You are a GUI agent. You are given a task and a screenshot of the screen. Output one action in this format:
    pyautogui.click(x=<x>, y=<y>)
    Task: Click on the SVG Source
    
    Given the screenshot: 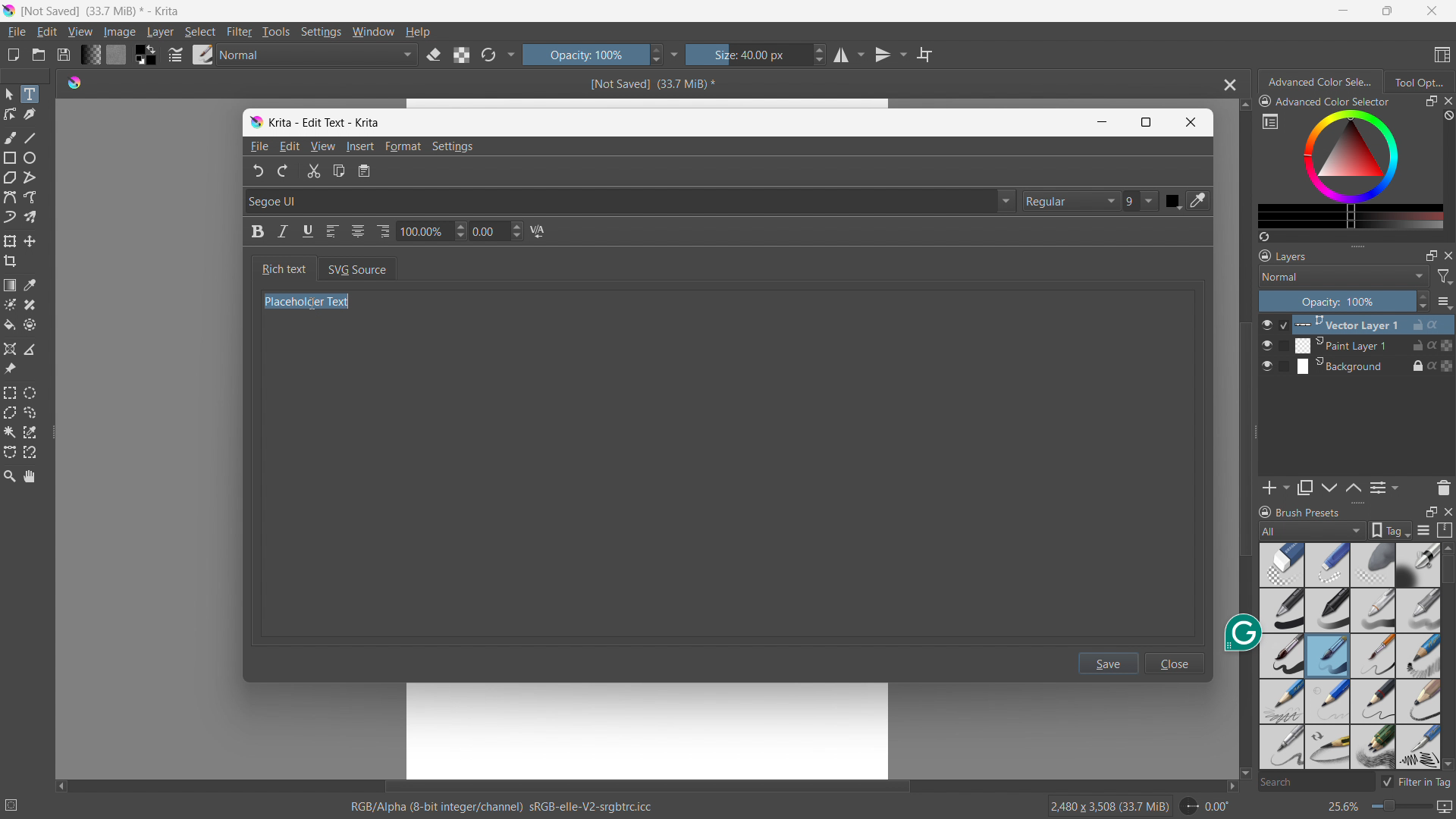 What is the action you would take?
    pyautogui.click(x=368, y=268)
    